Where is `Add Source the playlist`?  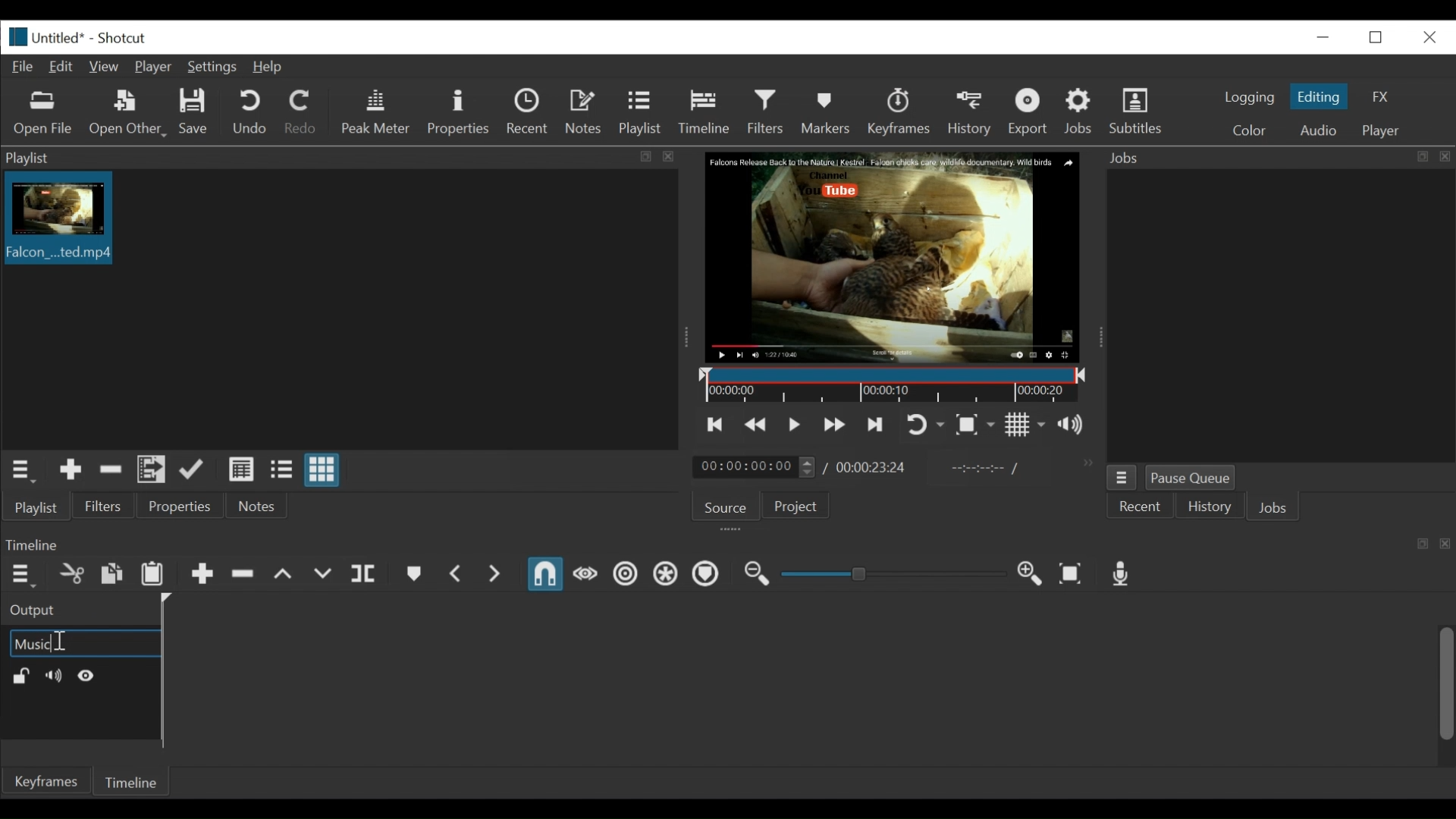 Add Source the playlist is located at coordinates (70, 471).